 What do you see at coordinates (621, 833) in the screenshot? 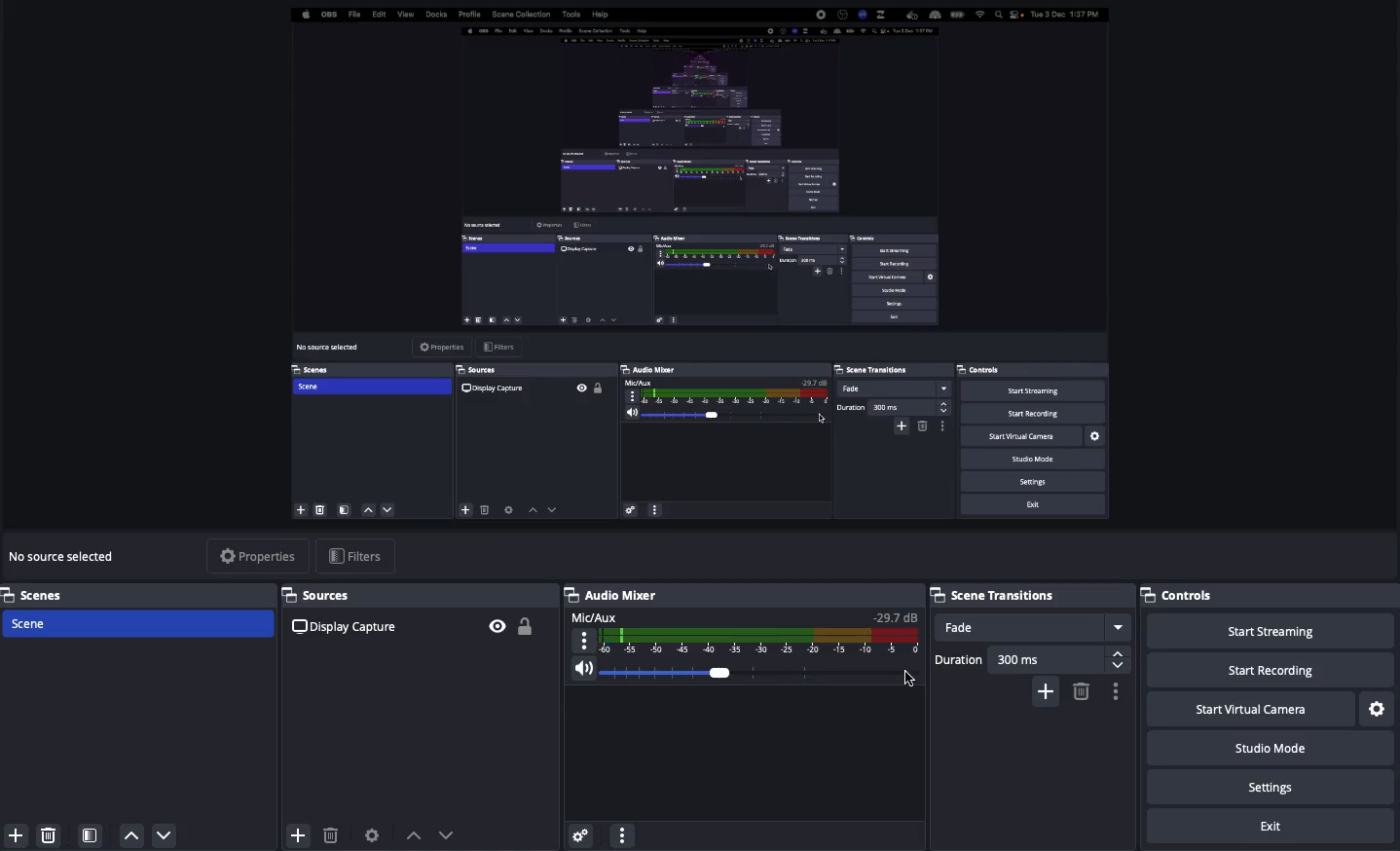
I see `More` at bounding box center [621, 833].